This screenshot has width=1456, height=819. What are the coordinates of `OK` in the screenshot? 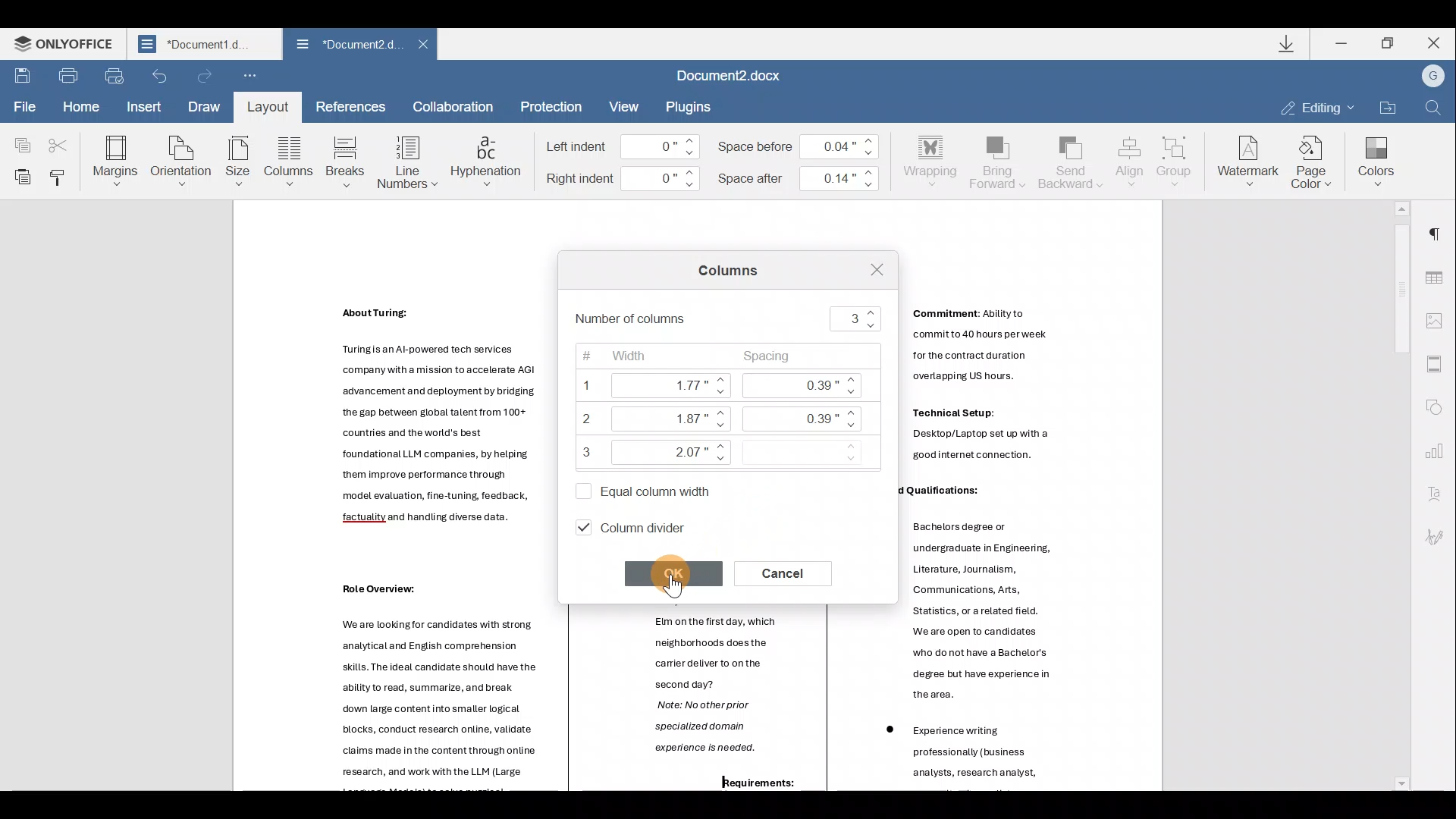 It's located at (677, 573).